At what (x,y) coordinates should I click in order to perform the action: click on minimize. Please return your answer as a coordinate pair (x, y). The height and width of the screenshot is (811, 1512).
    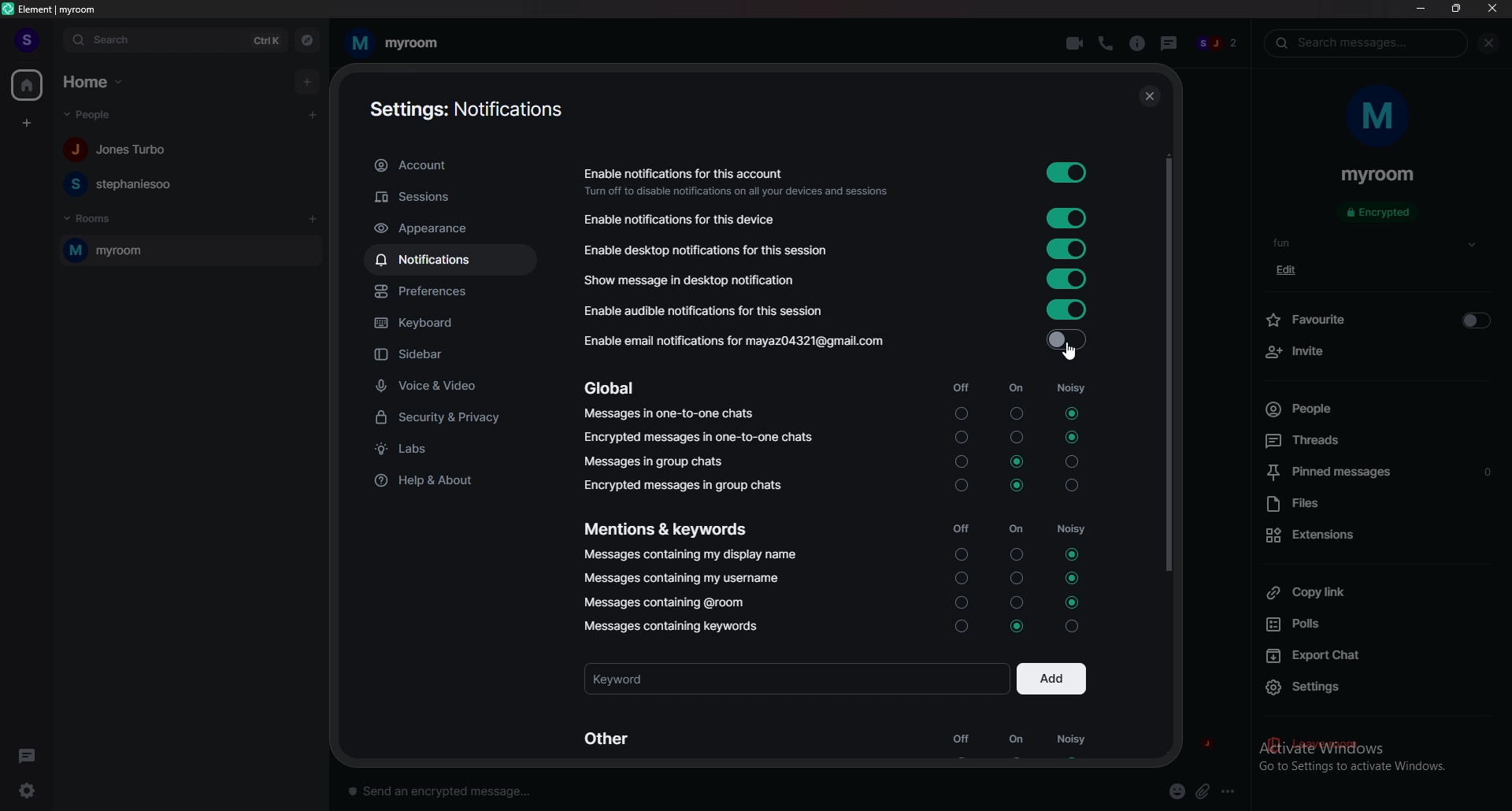
    Looking at the image, I should click on (1421, 8).